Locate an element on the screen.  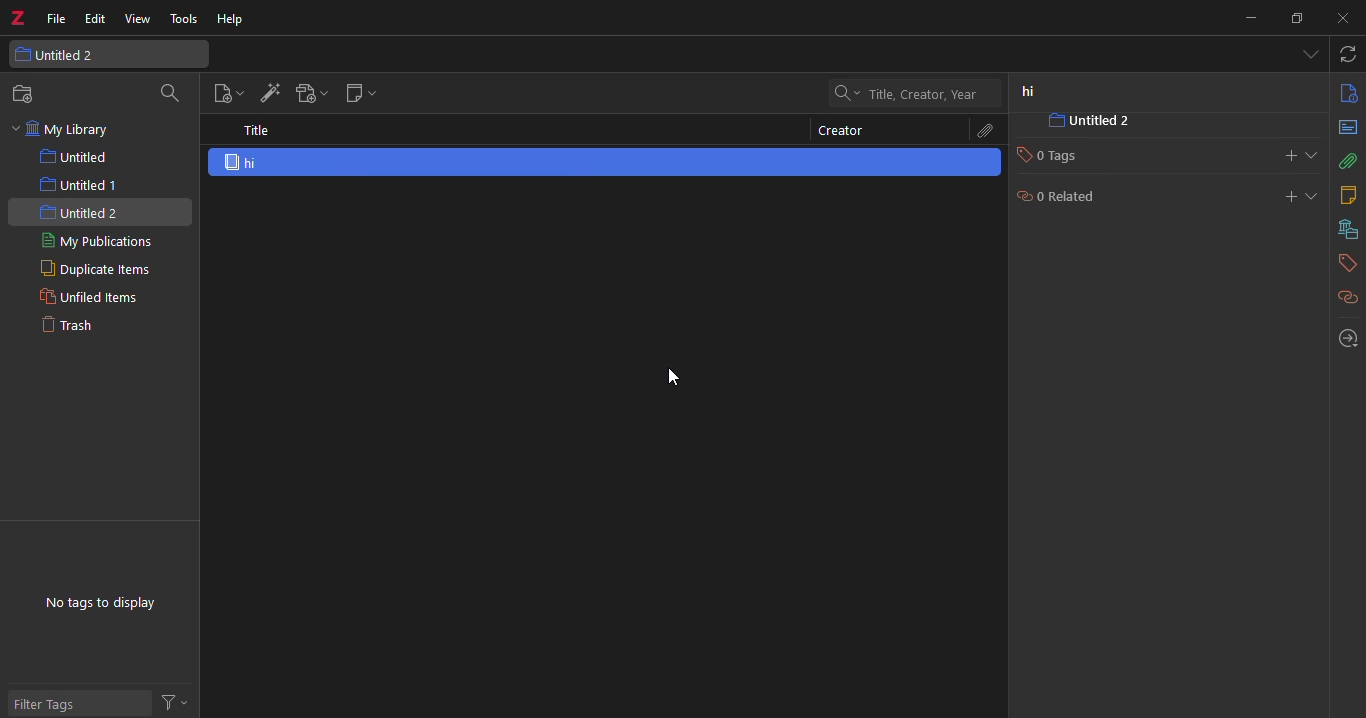
locate is located at coordinates (1341, 338).